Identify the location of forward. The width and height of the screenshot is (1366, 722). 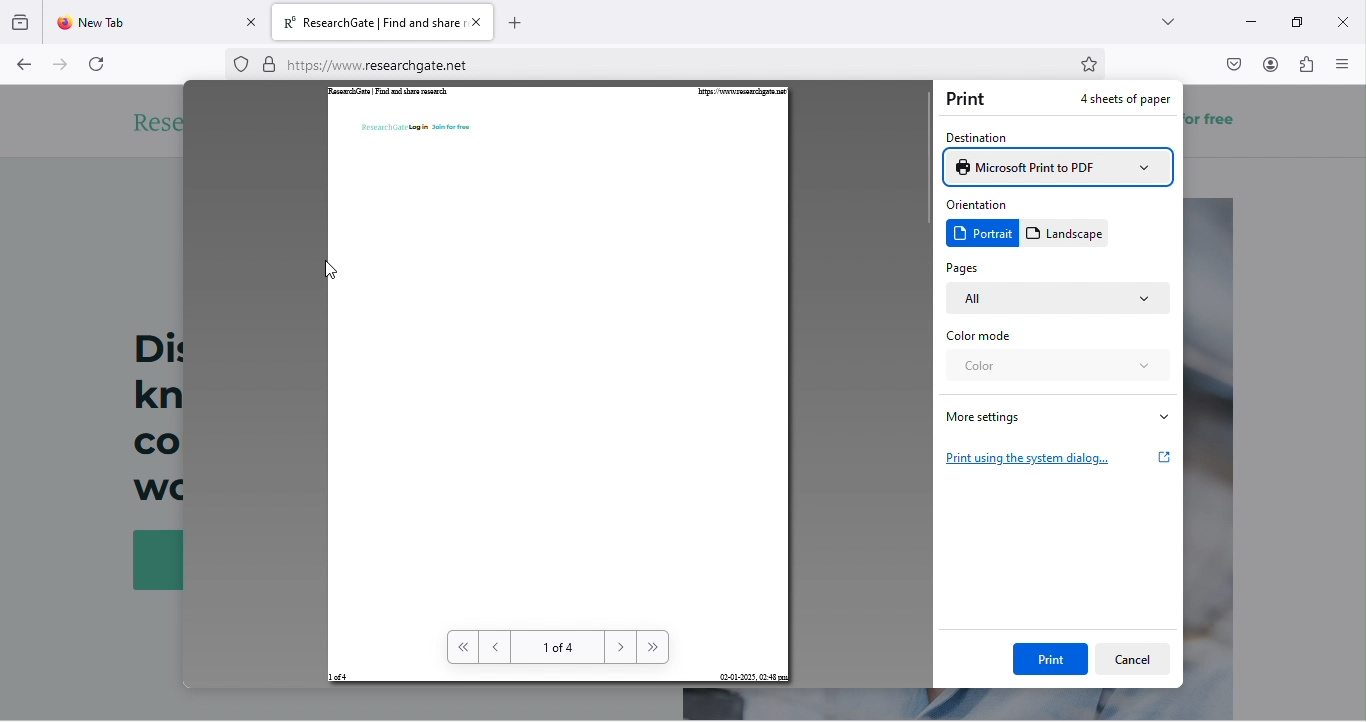
(643, 647).